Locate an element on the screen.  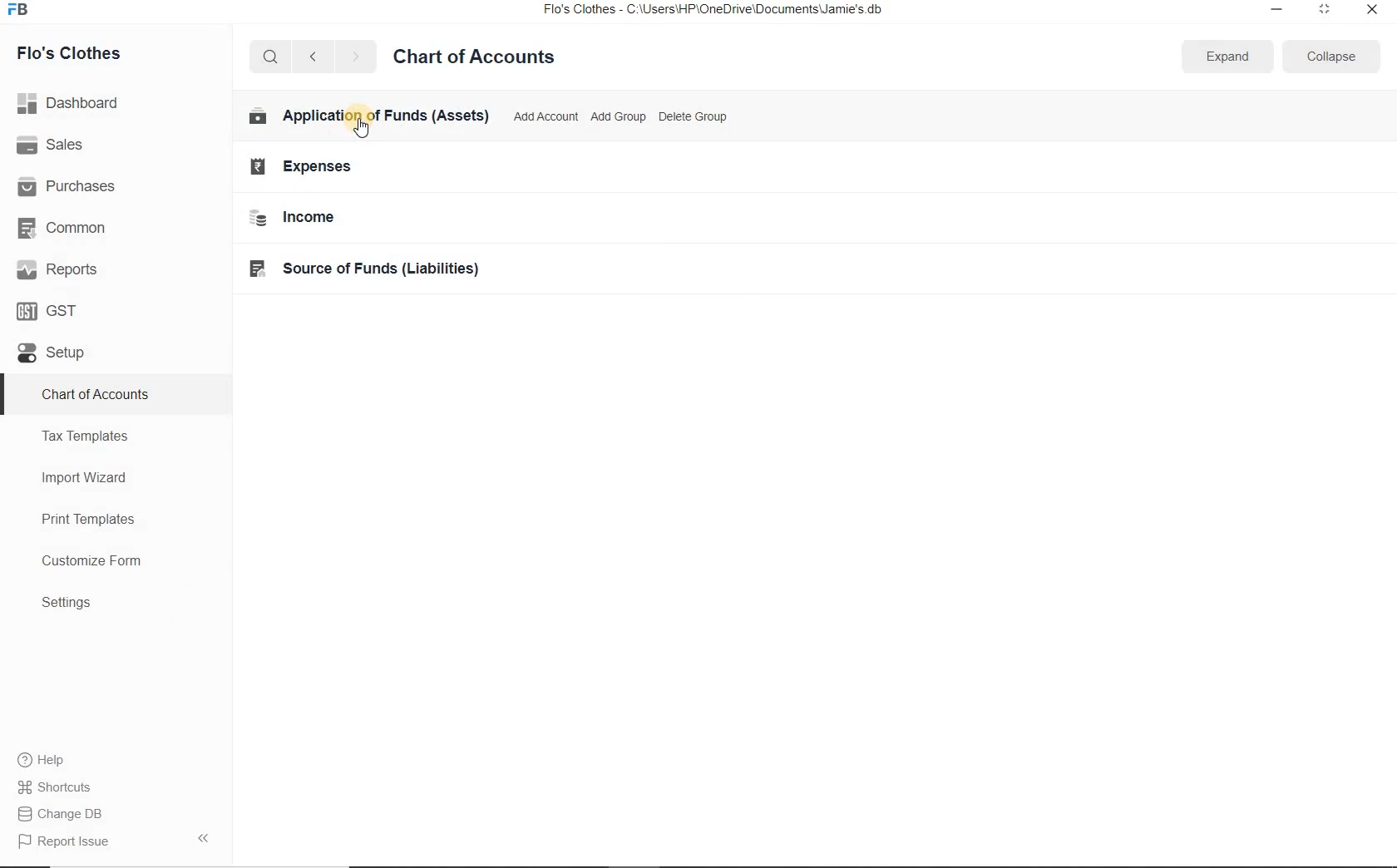
Report Issue is located at coordinates (63, 841).